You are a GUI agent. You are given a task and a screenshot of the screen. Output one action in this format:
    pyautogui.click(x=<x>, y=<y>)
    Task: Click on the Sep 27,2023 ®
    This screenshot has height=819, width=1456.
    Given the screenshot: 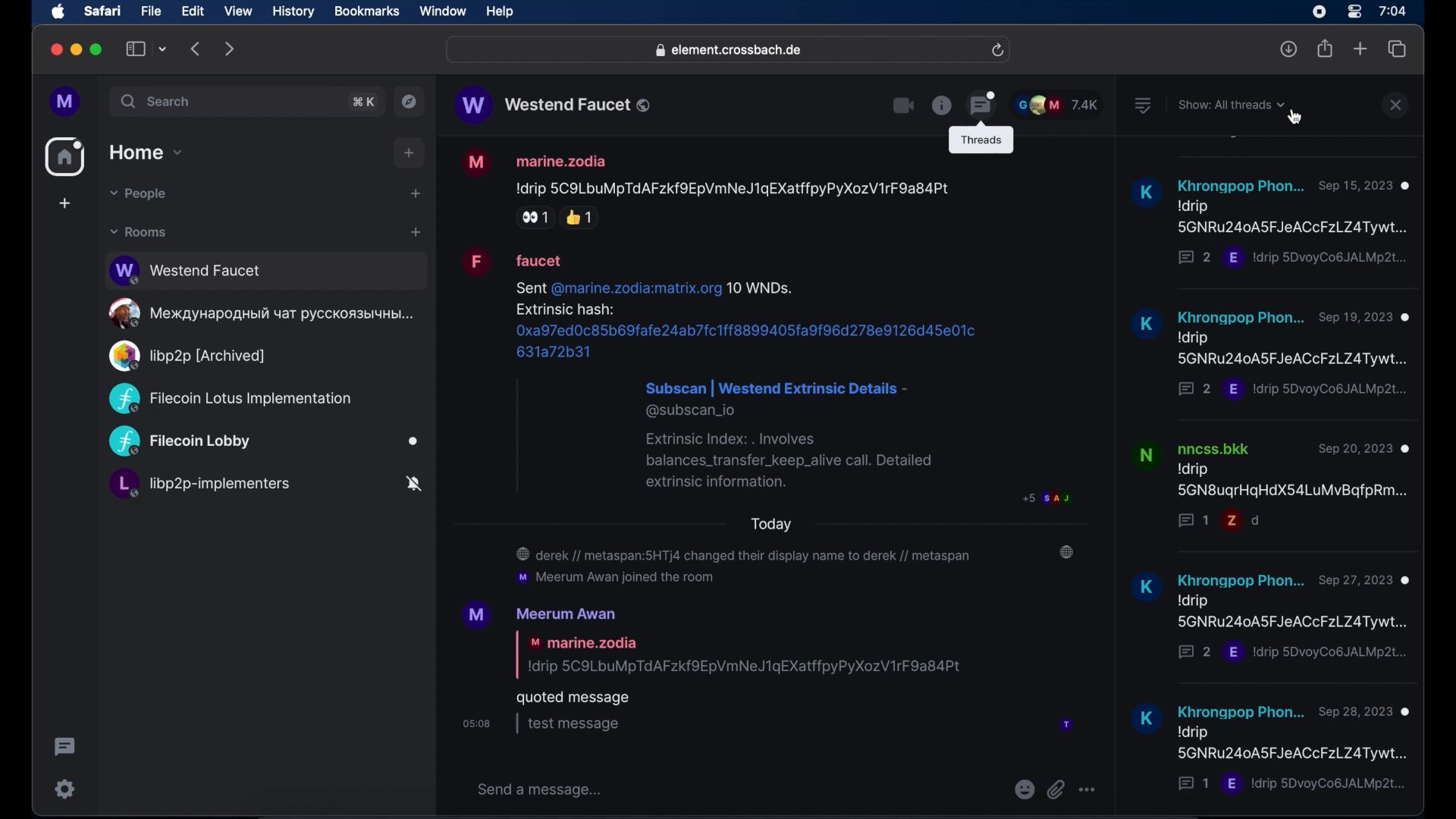 What is the action you would take?
    pyautogui.click(x=1368, y=582)
    